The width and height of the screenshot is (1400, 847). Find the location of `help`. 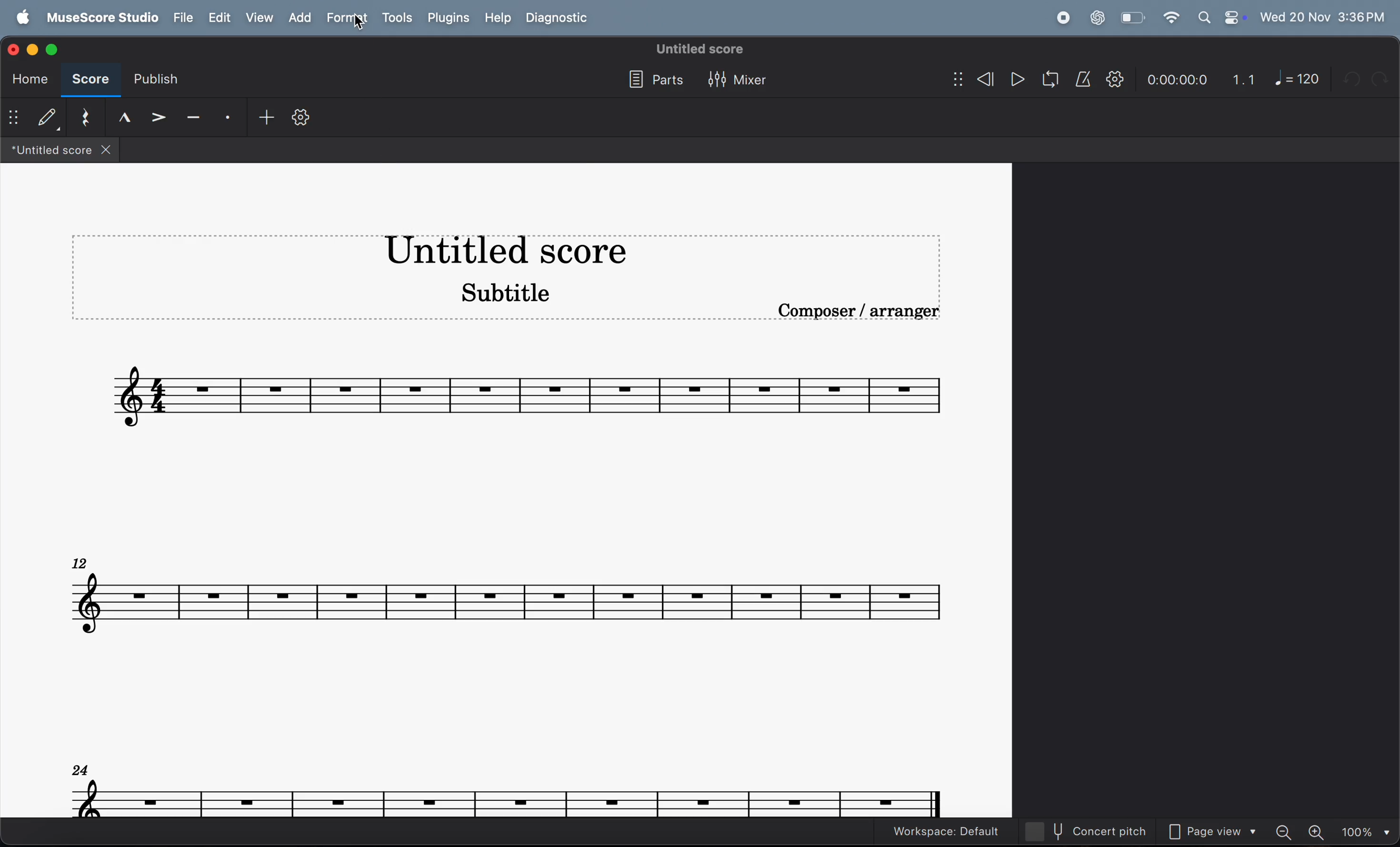

help is located at coordinates (495, 18).